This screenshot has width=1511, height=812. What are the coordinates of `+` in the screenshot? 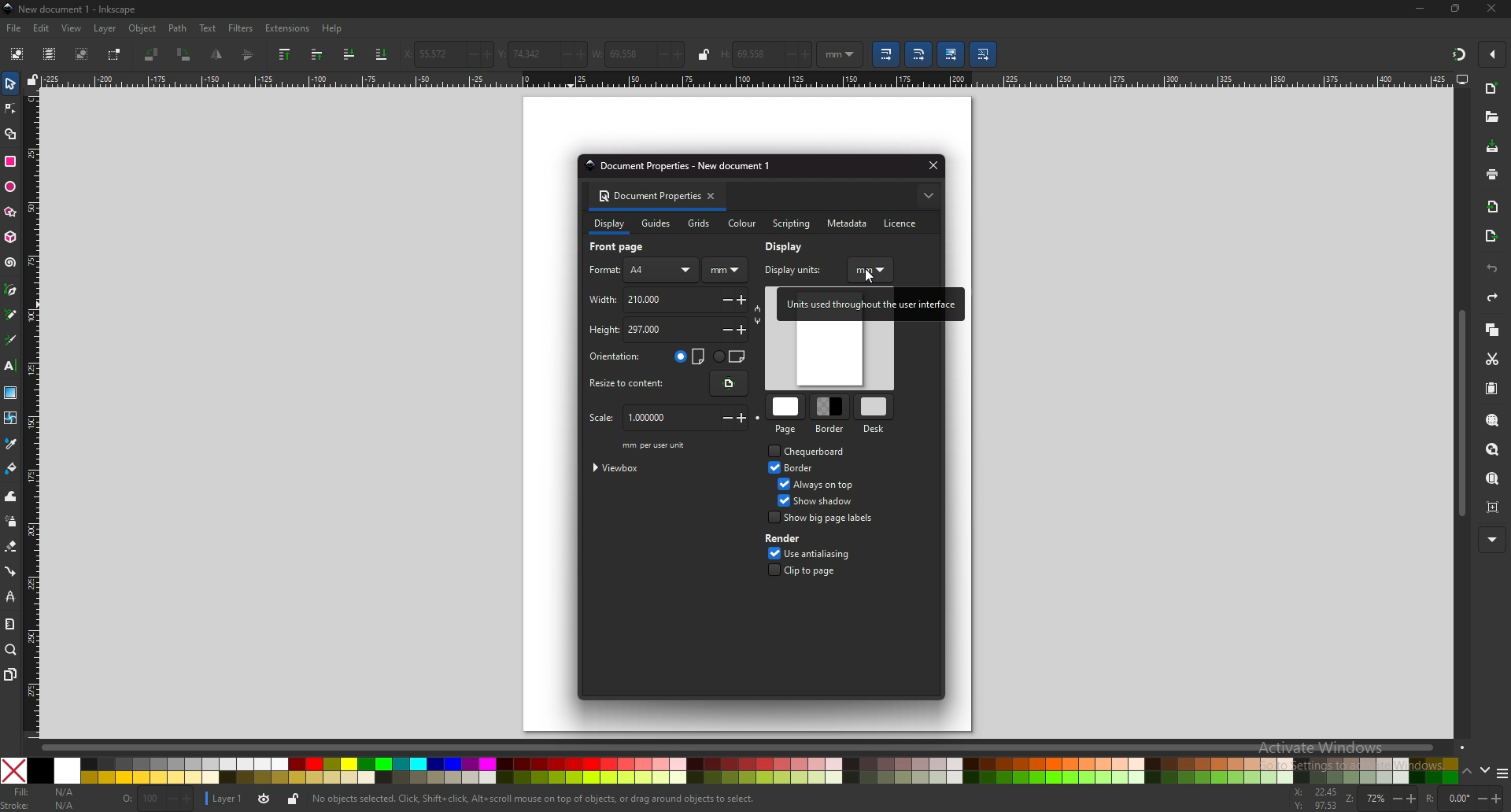 It's located at (577, 54).